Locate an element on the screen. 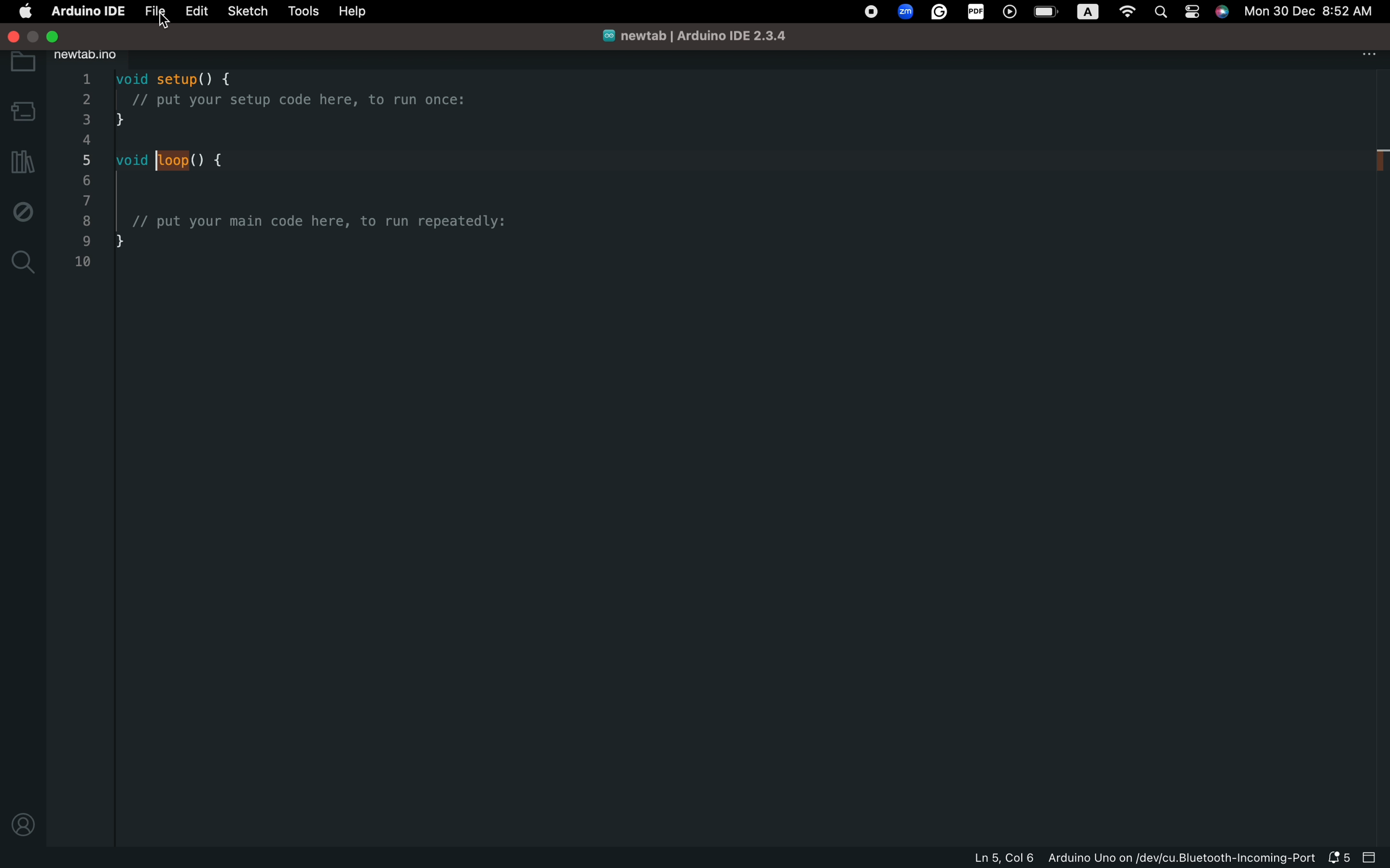 Image resolution: width=1390 pixels, height=868 pixels. control center is located at coordinates (1193, 11).